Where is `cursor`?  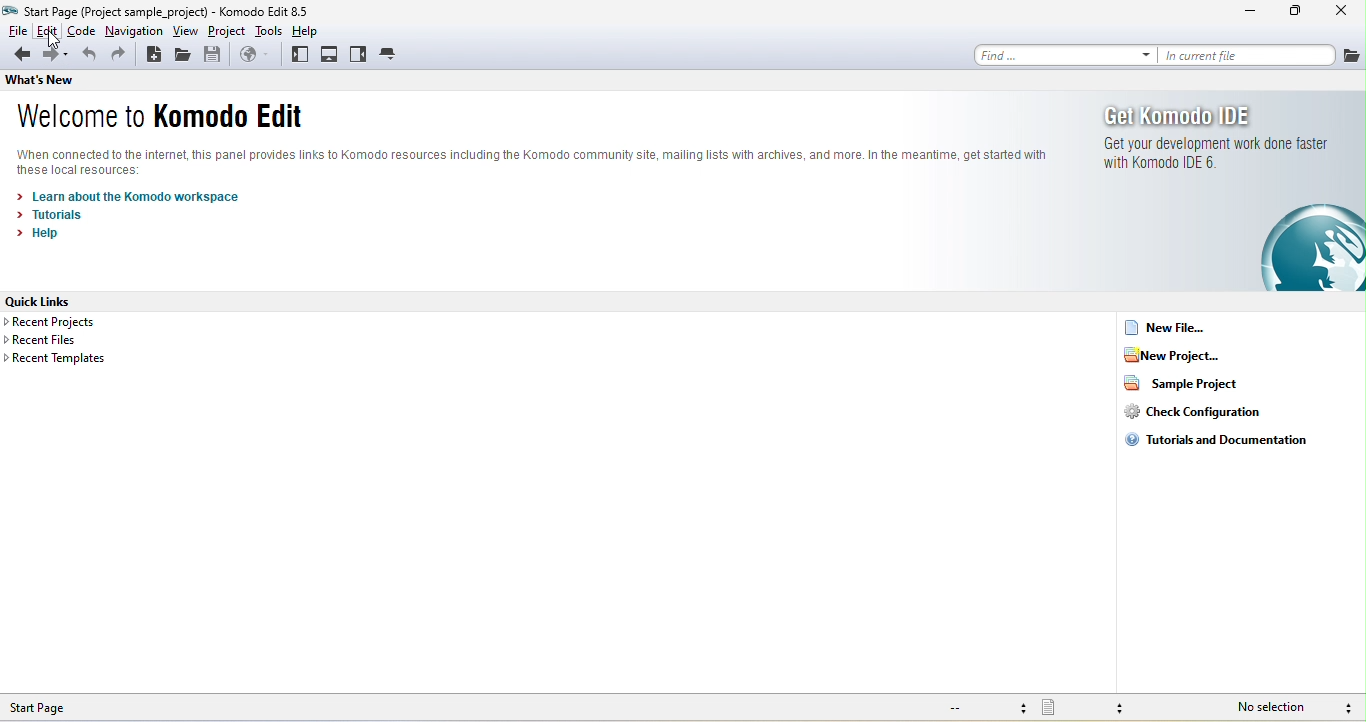
cursor is located at coordinates (54, 40).